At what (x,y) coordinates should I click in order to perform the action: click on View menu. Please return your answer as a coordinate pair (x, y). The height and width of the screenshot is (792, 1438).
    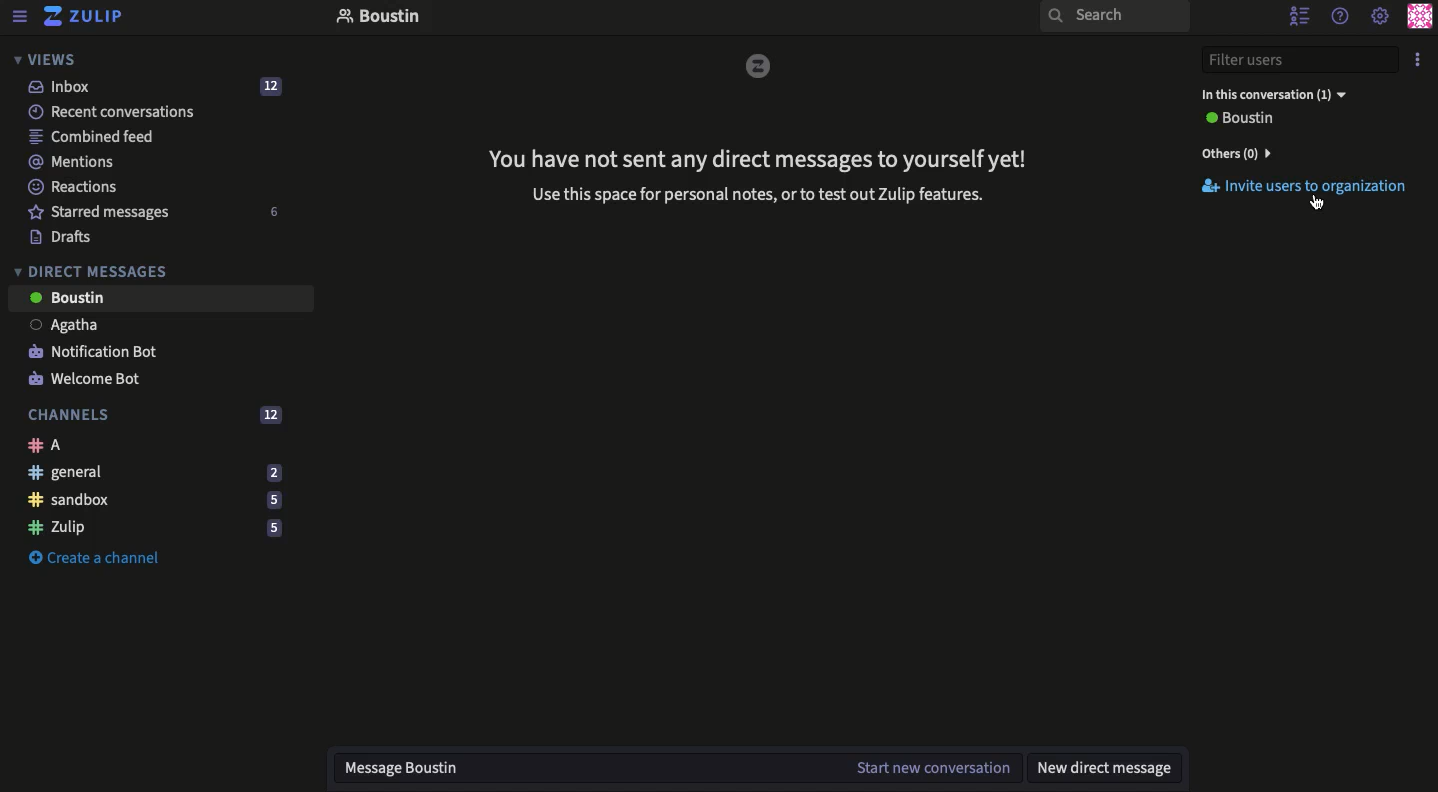
    Looking at the image, I should click on (18, 17).